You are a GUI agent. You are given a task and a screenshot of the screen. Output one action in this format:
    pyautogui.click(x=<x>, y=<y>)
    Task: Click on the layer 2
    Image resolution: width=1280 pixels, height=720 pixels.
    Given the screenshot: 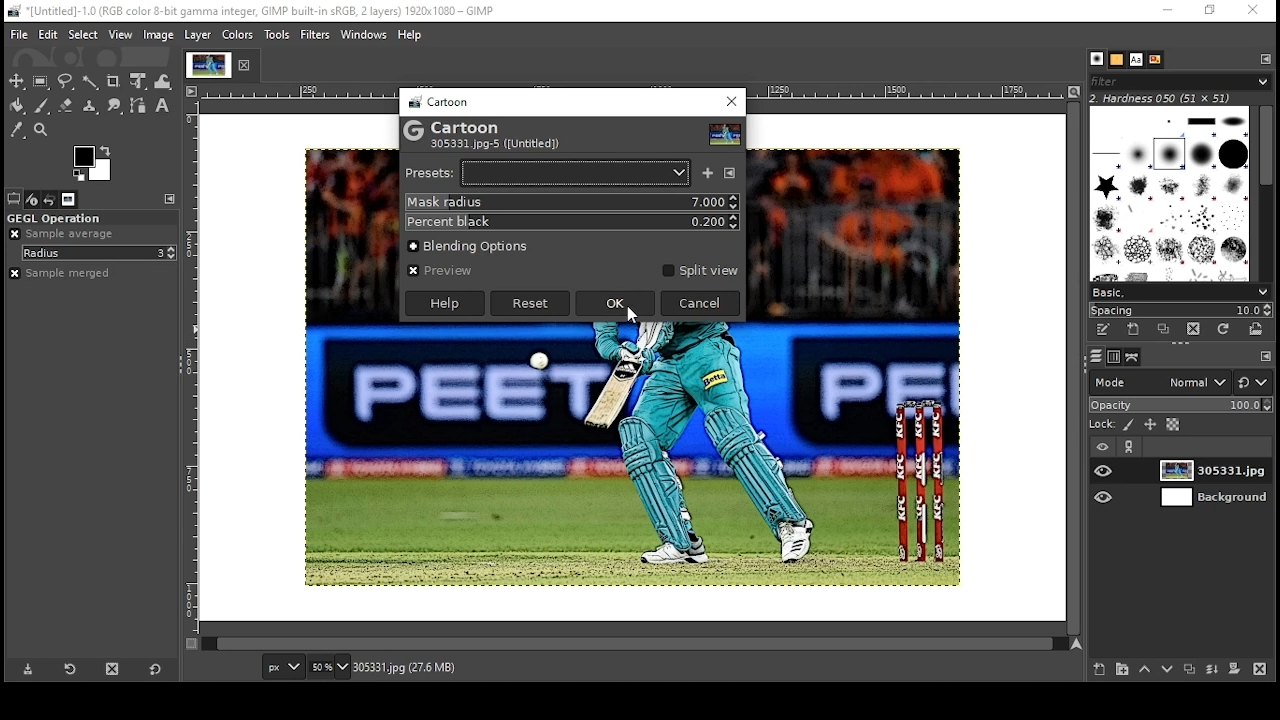 What is the action you would take?
    pyautogui.click(x=1216, y=499)
    